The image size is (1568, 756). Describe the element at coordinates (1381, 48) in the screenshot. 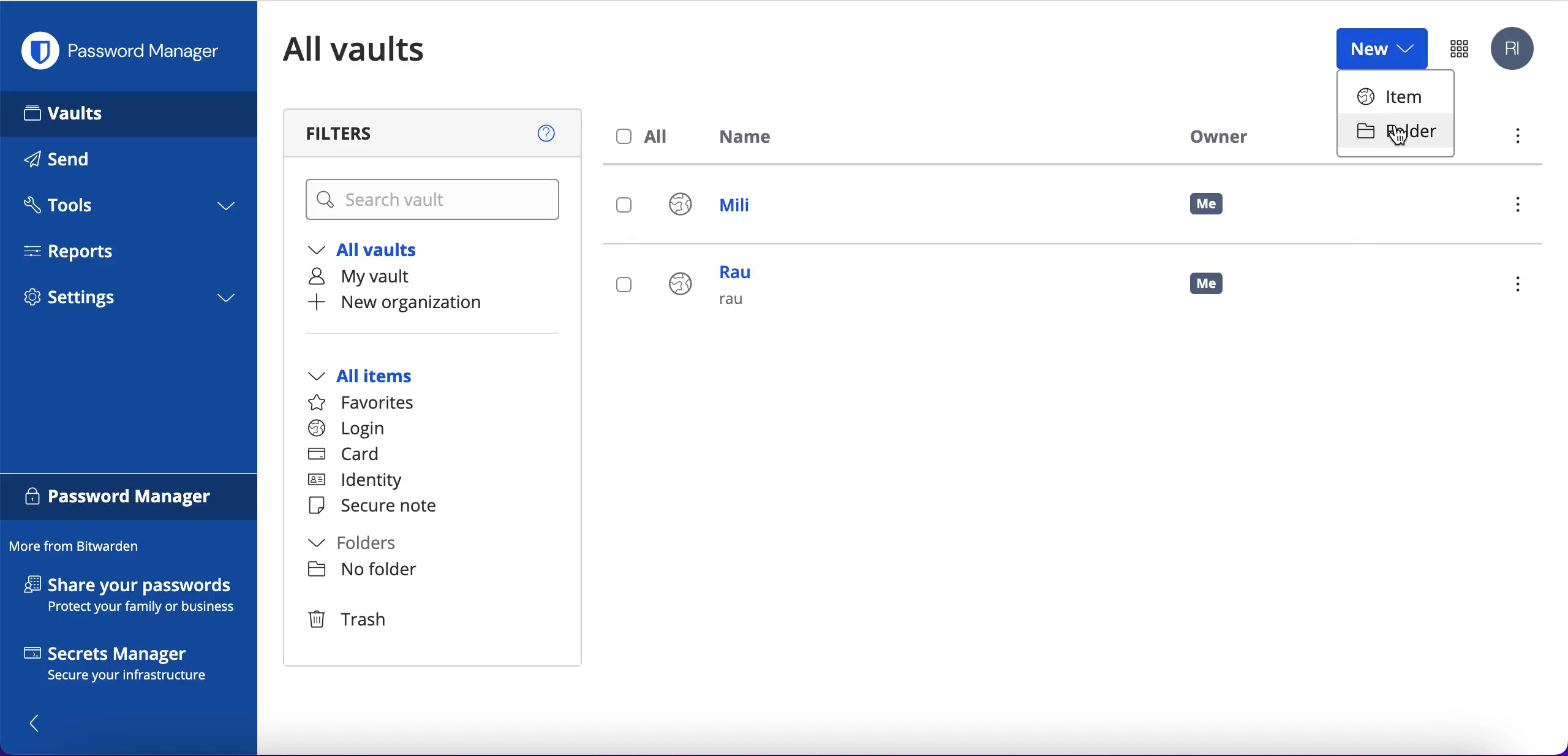

I see `new` at that location.